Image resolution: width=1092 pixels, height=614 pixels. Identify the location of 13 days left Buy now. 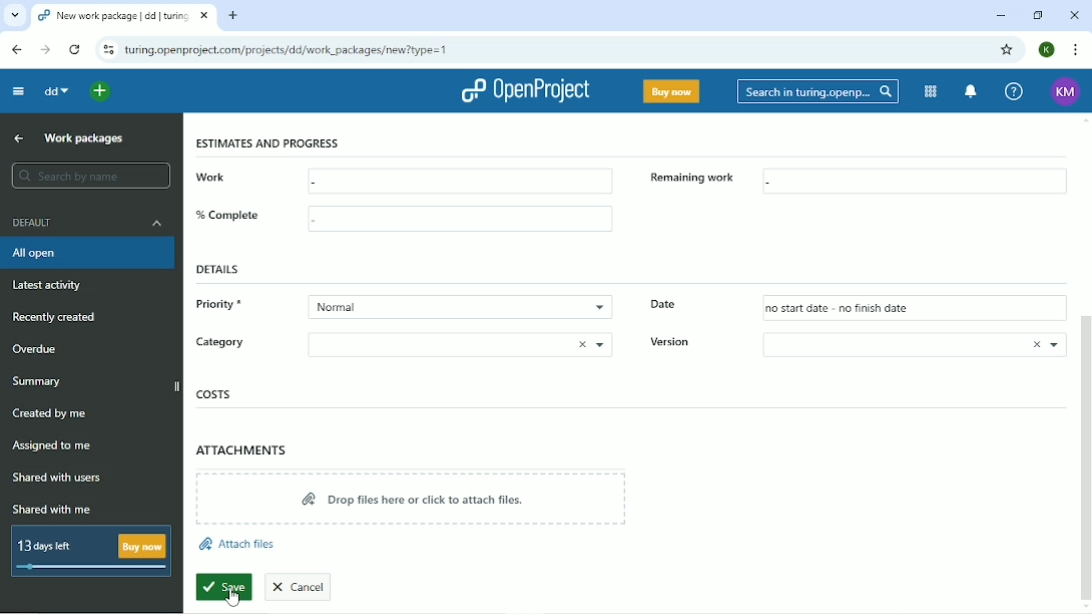
(89, 551).